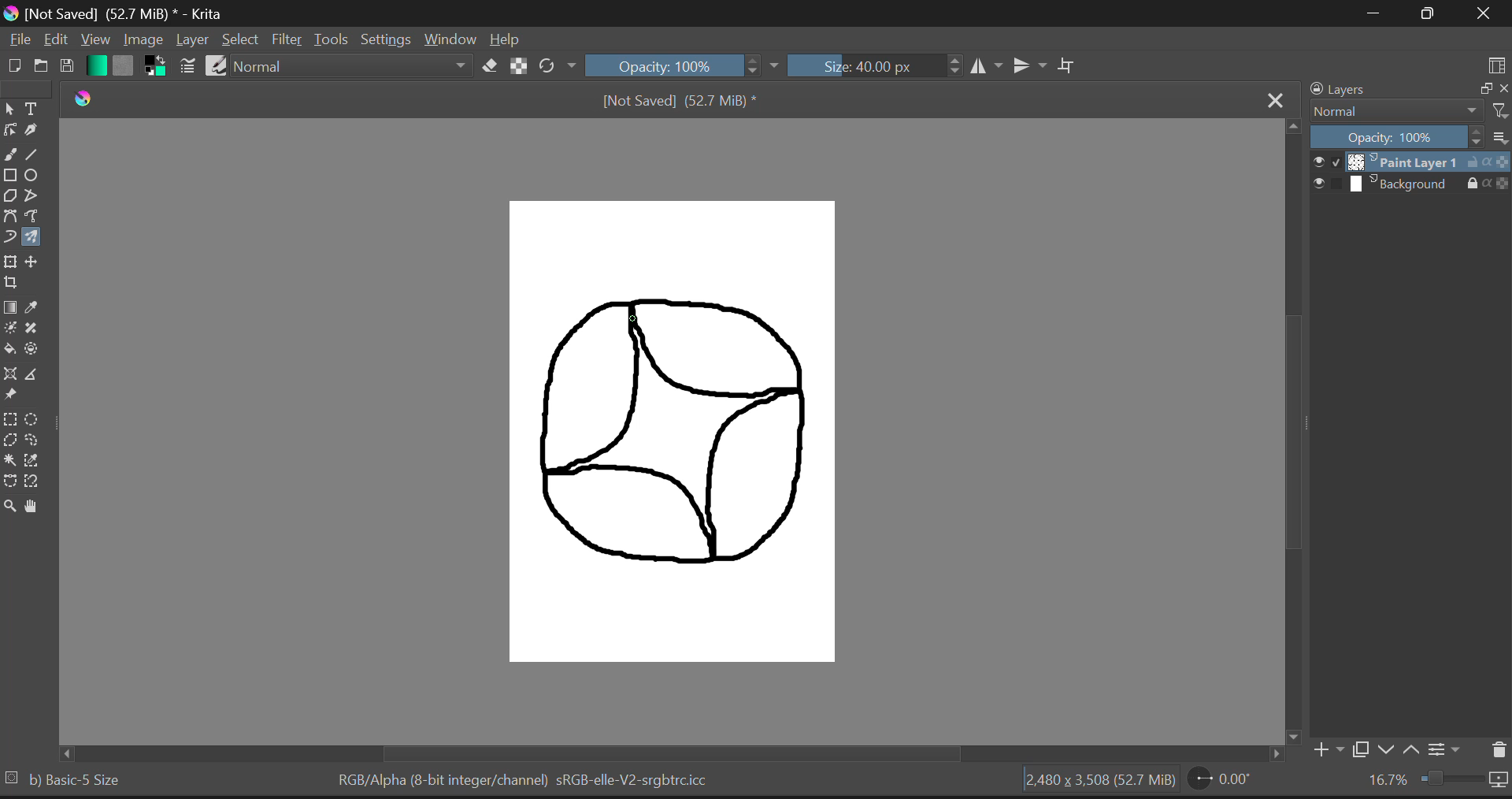  Describe the element at coordinates (1362, 749) in the screenshot. I see `Copy Layer` at that location.